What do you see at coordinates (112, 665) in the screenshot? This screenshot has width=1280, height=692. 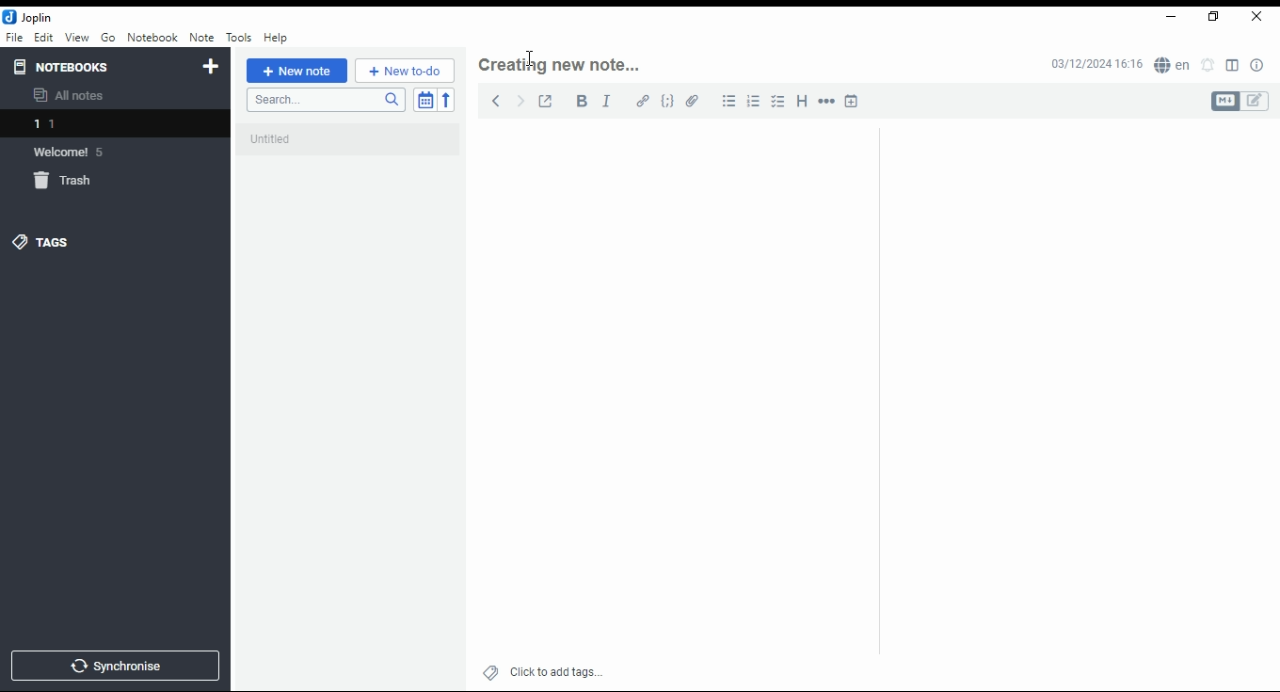 I see `synchronise` at bounding box center [112, 665].